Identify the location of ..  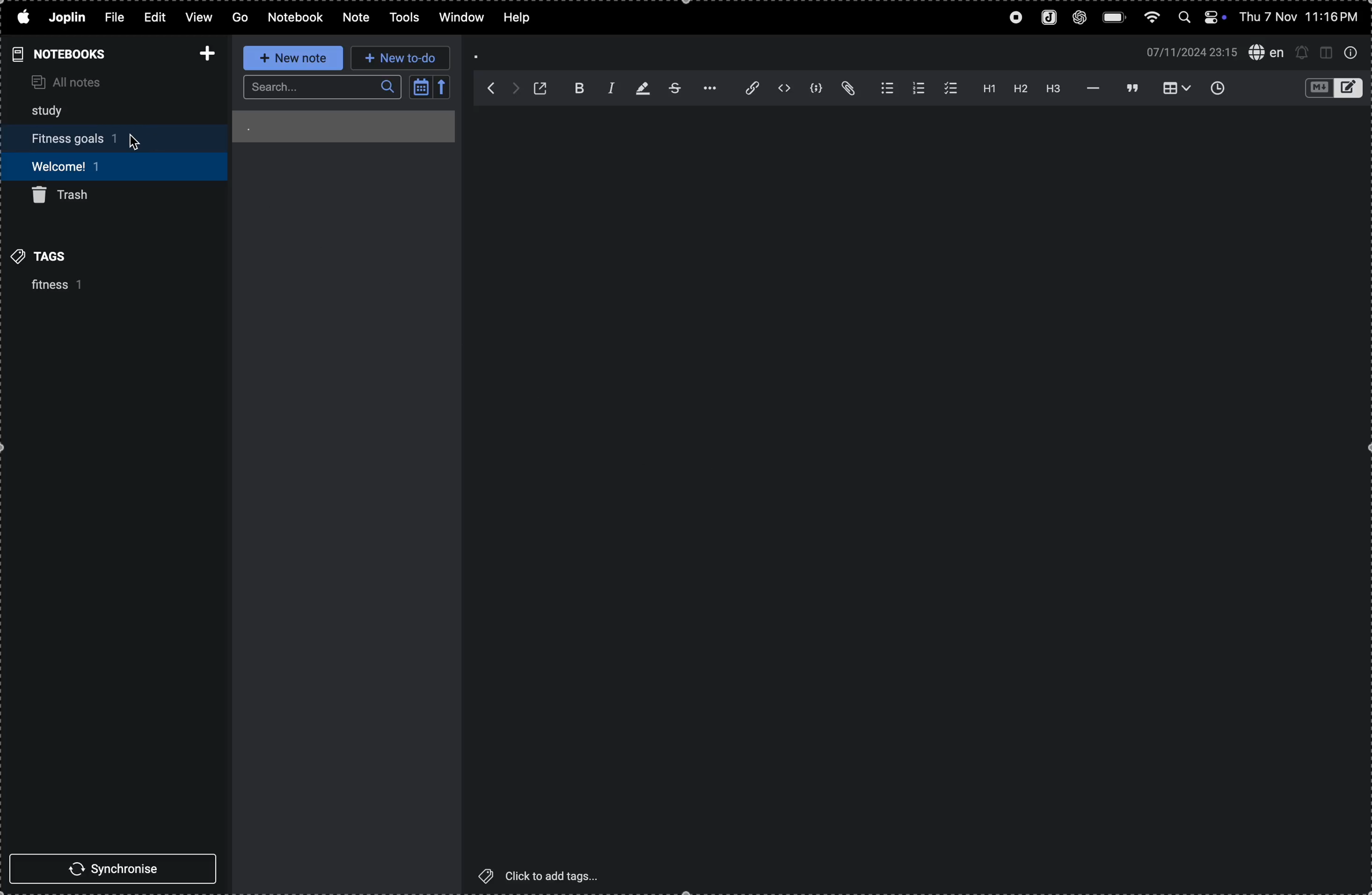
(343, 125).